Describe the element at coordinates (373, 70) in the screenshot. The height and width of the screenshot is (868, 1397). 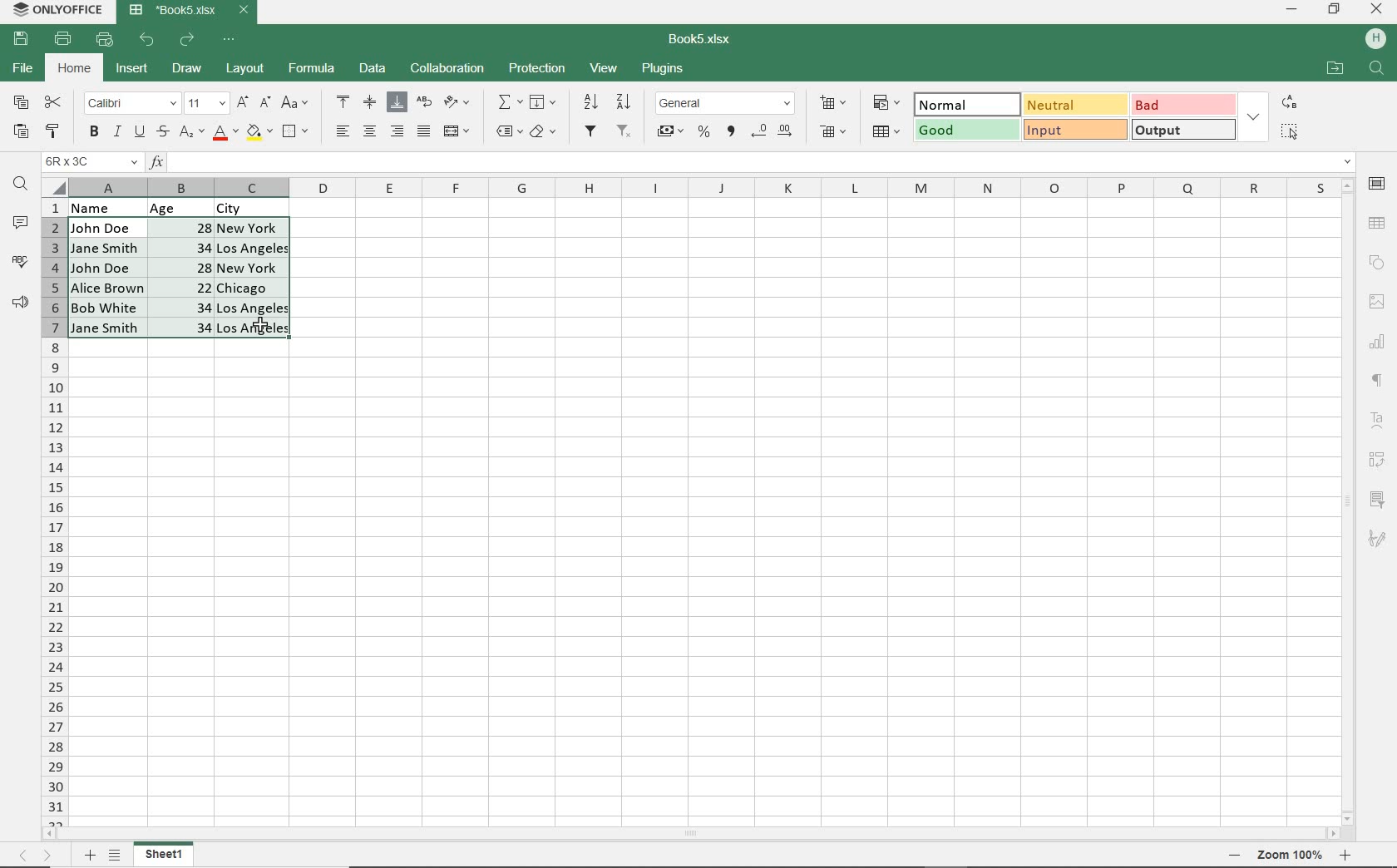
I see `DATA` at that location.